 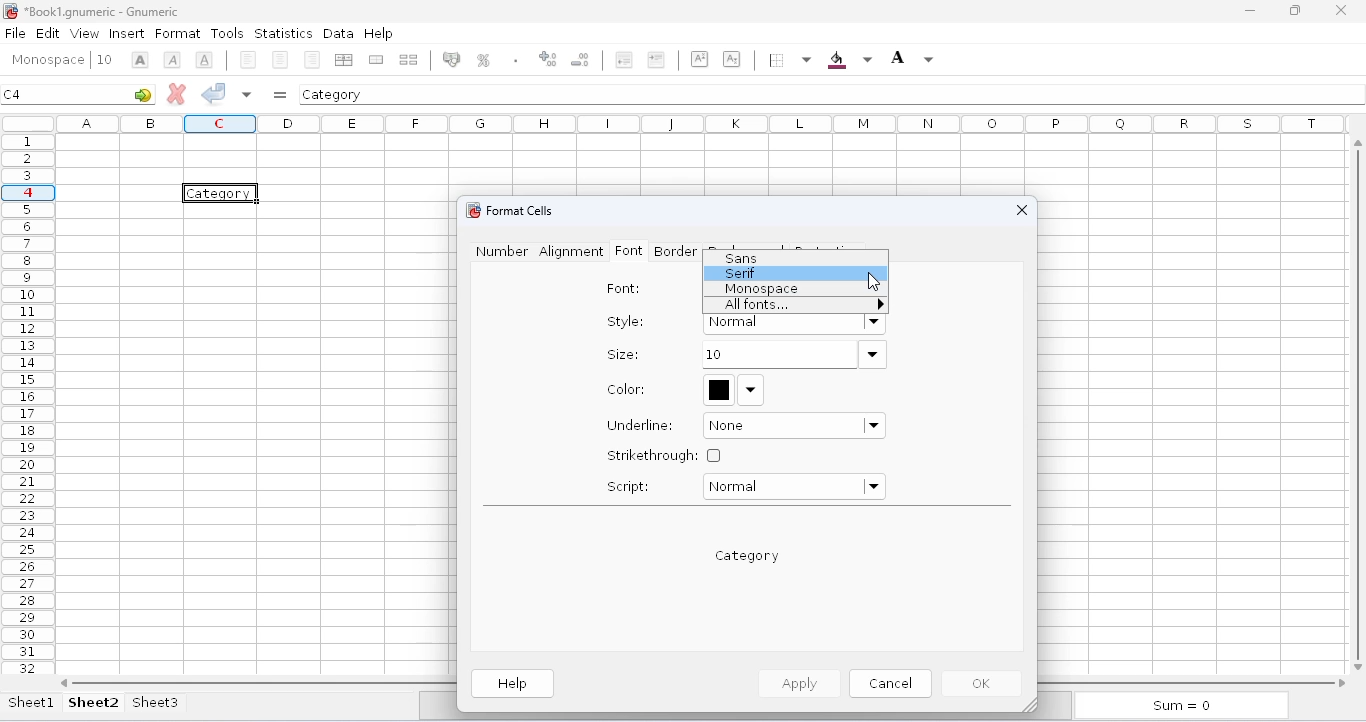 I want to click on vertical scroll bar, so click(x=1361, y=402).